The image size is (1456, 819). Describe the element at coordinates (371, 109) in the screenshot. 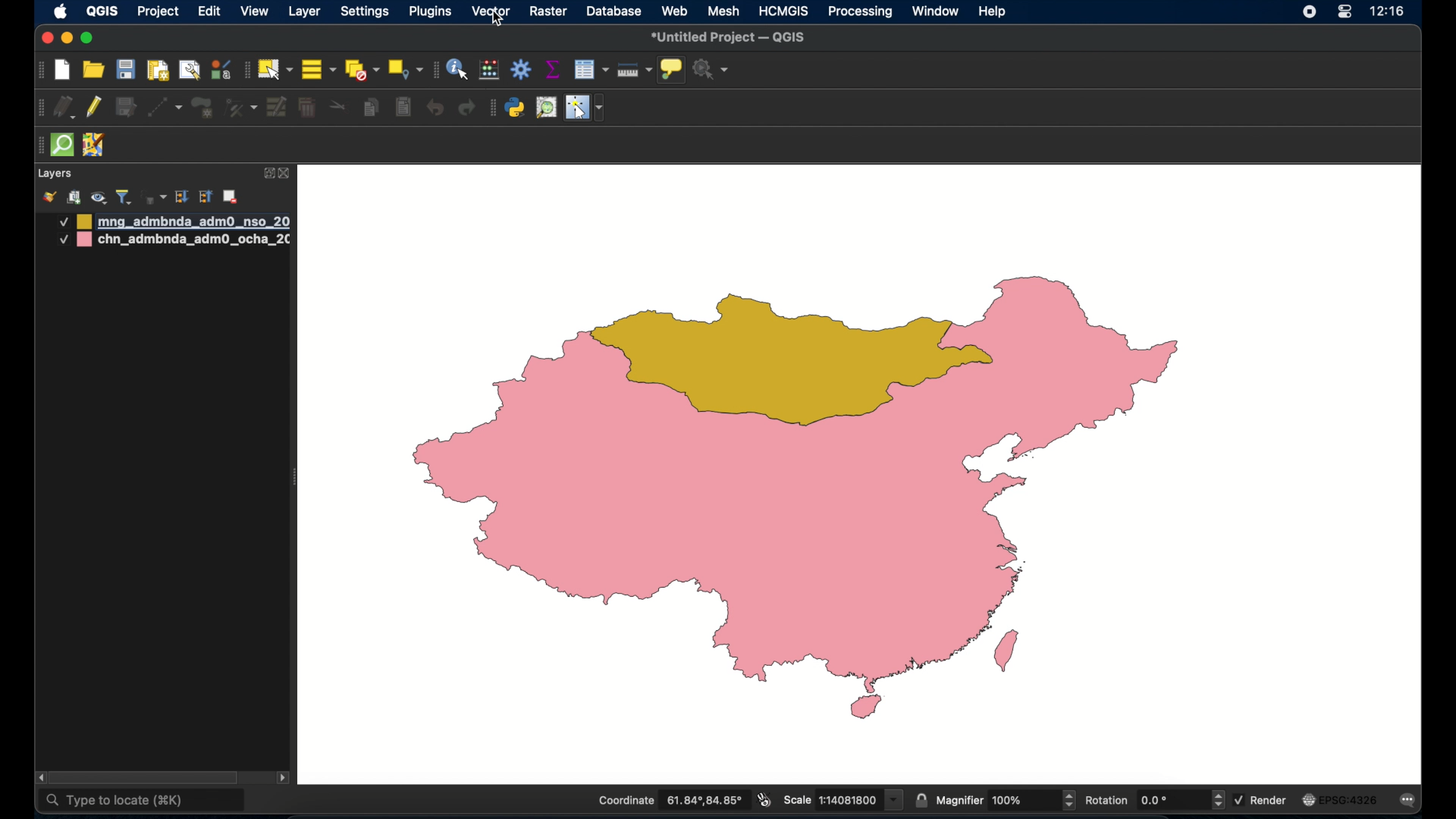

I see `copy features` at that location.